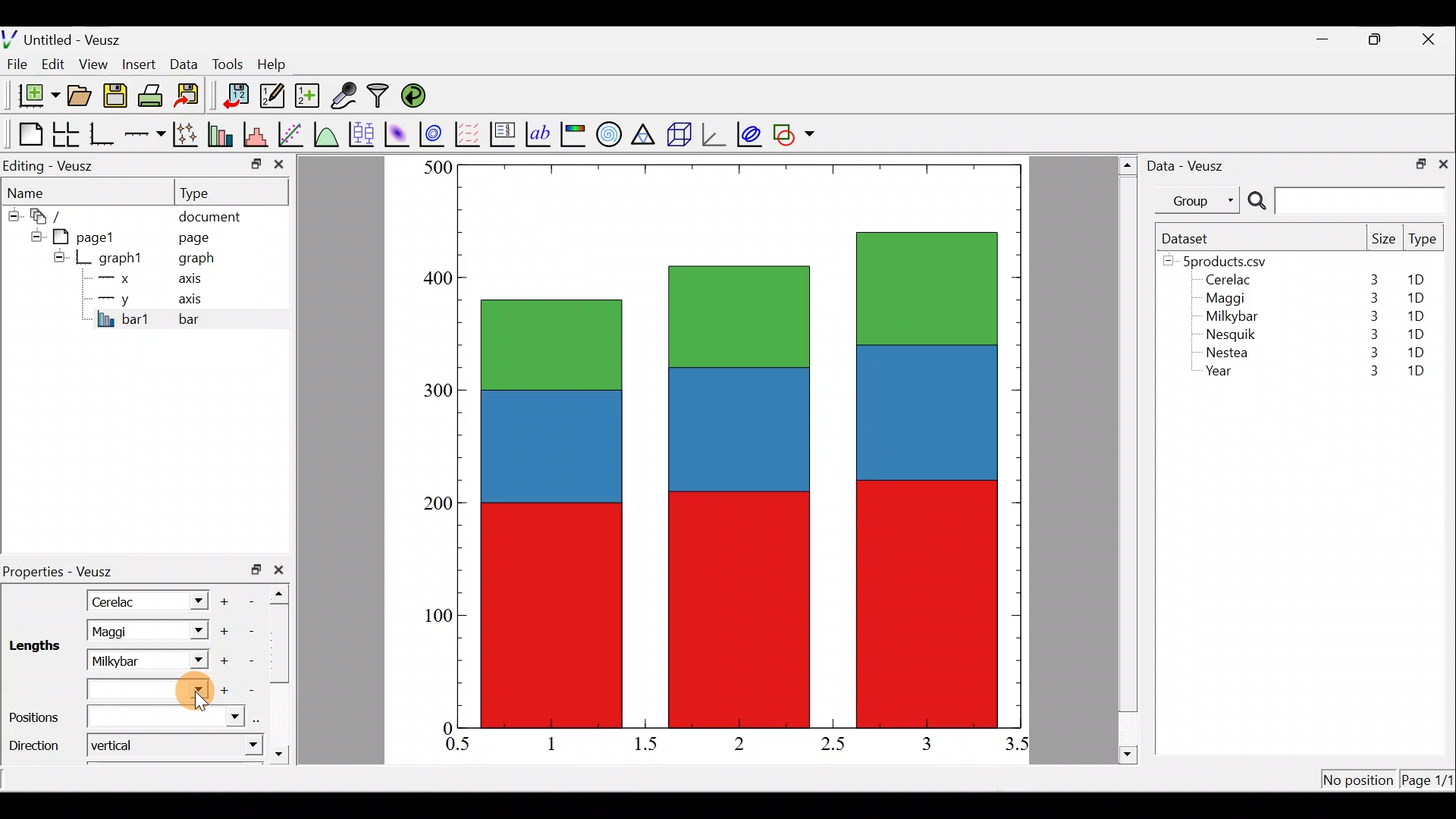  Describe the element at coordinates (399, 132) in the screenshot. I see `Plot a 2d dataset as an image` at that location.